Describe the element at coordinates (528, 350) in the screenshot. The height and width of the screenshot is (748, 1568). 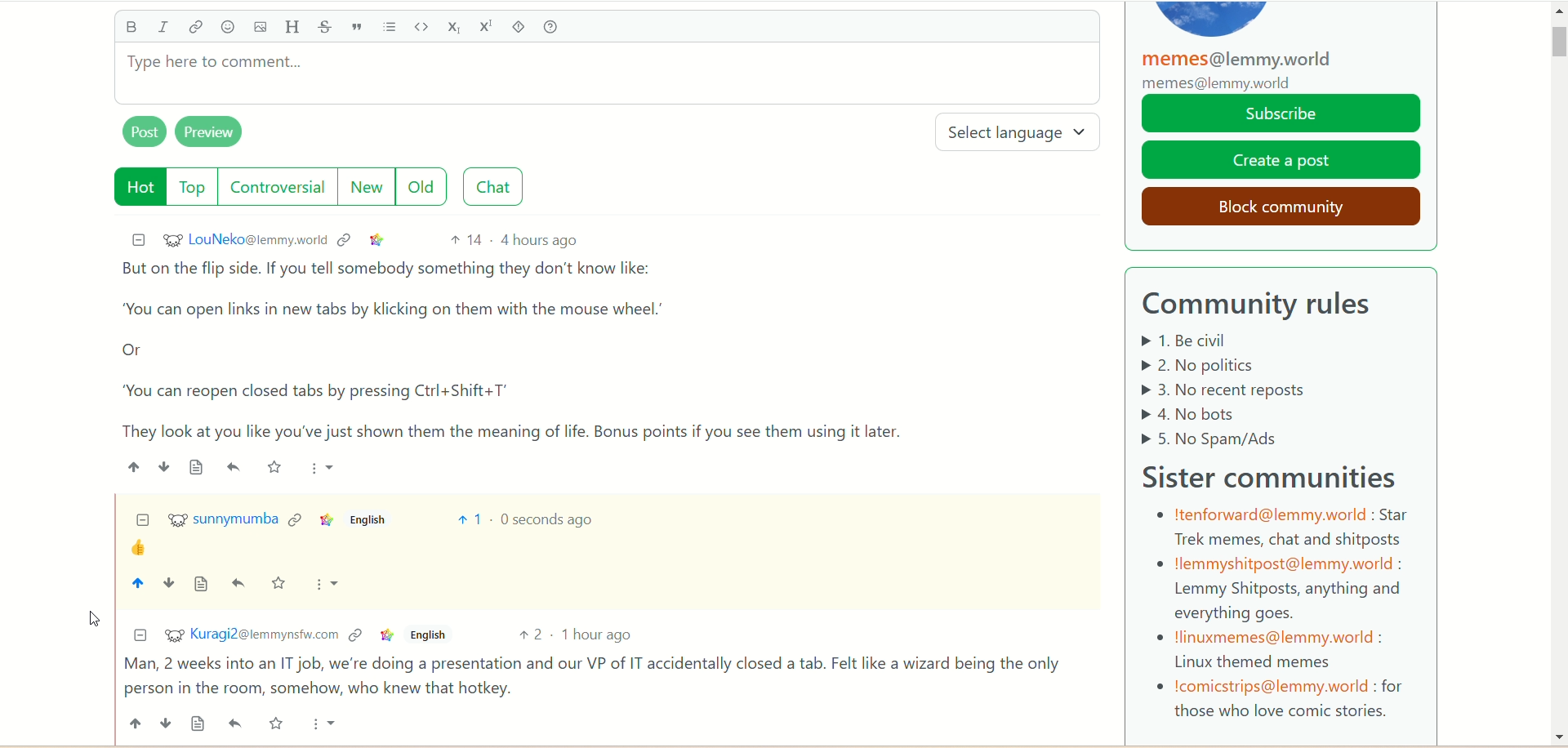
I see `comment of LouNeko` at that location.